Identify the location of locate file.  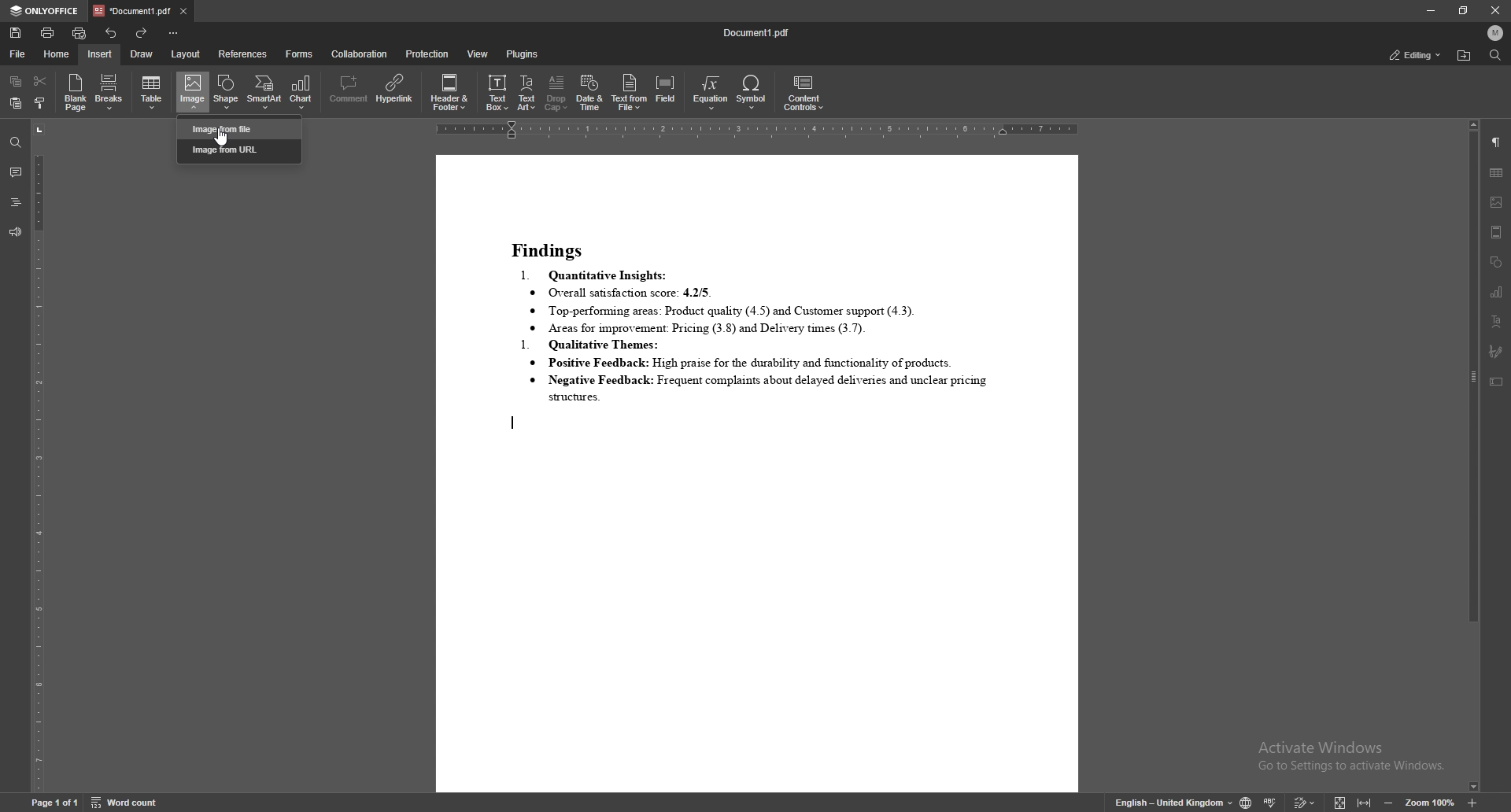
(1465, 55).